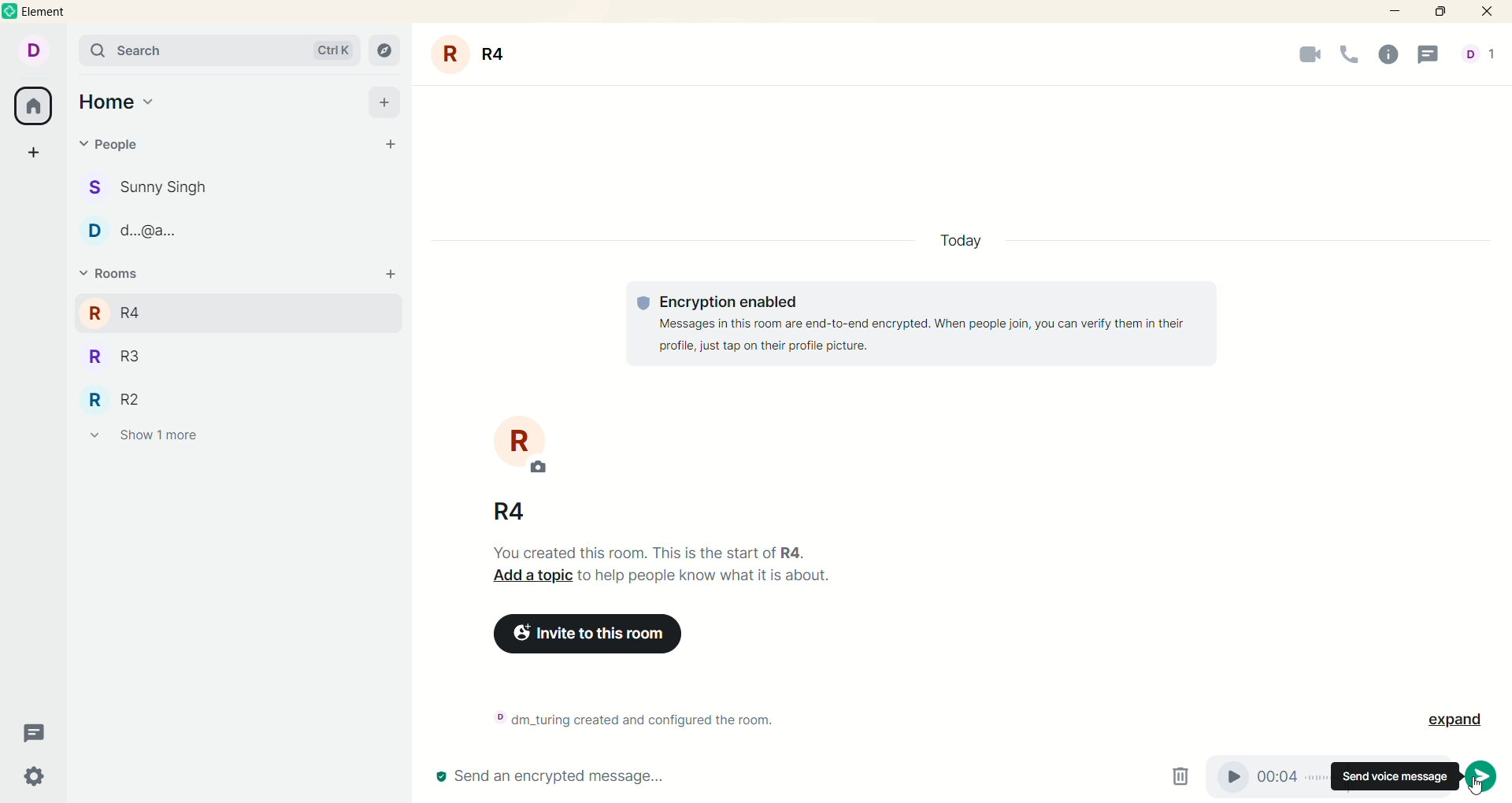  Describe the element at coordinates (108, 274) in the screenshot. I see `rooms` at that location.